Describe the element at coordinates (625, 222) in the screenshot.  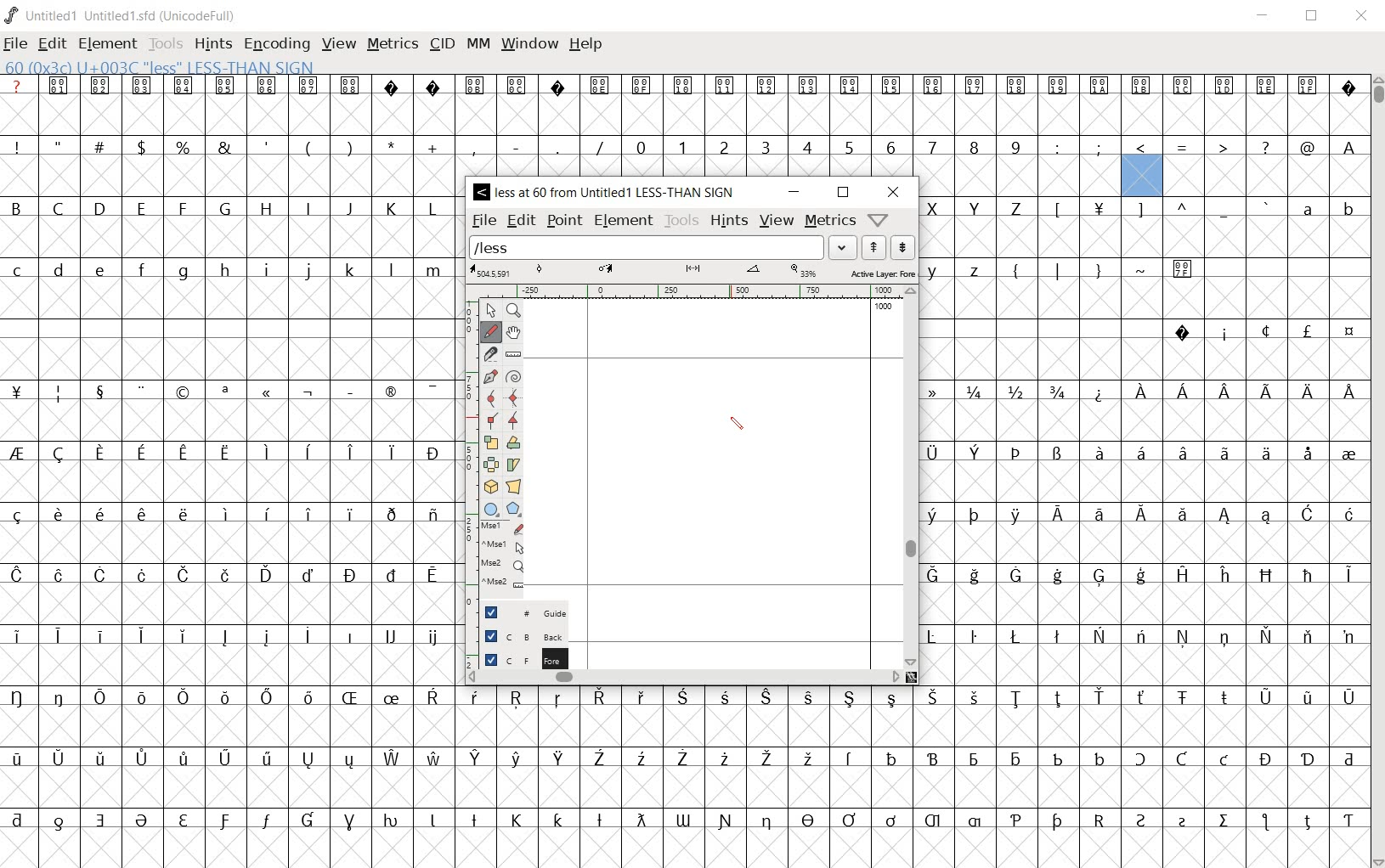
I see `element` at that location.